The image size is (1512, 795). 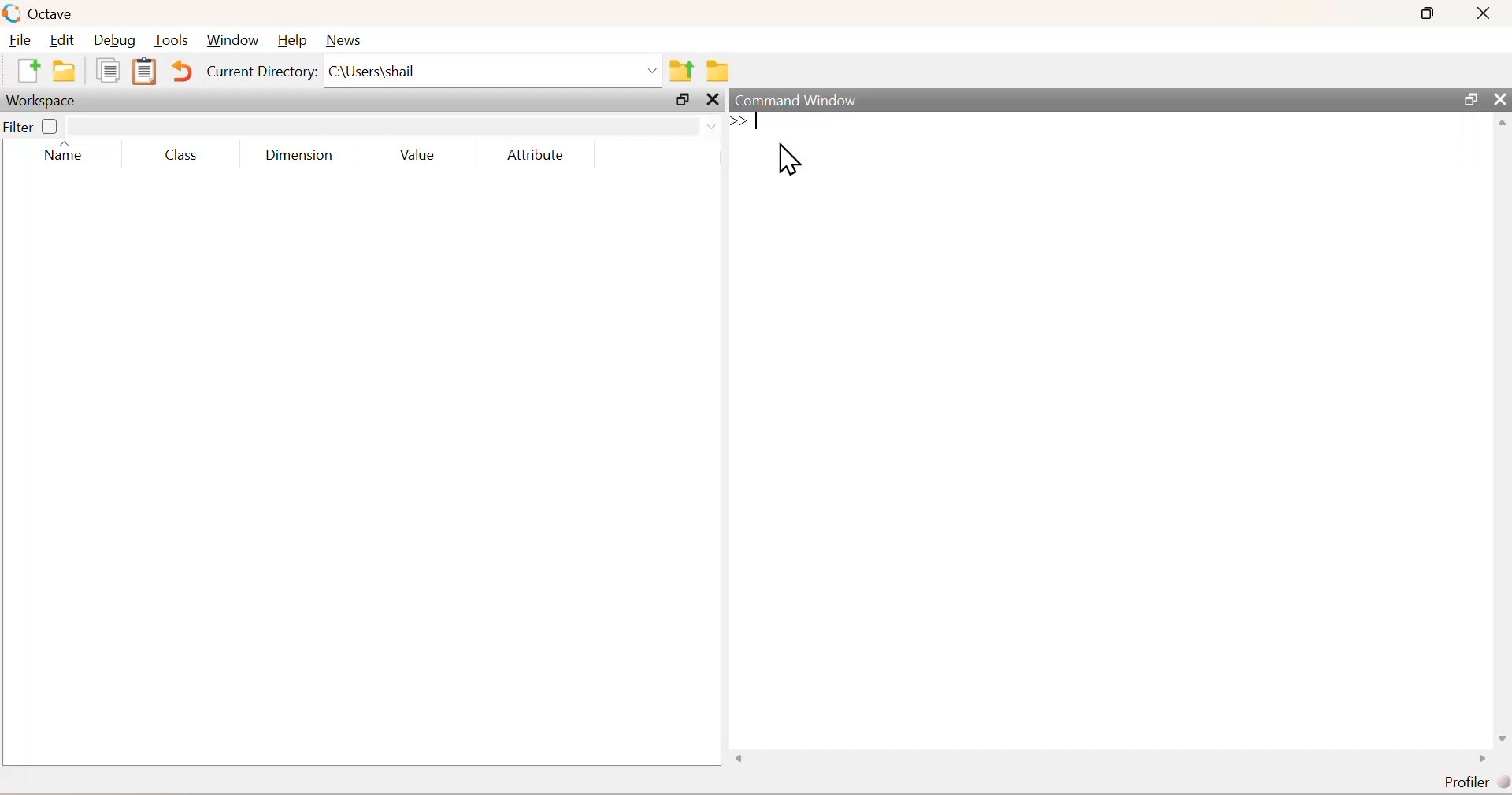 I want to click on Class, so click(x=182, y=156).